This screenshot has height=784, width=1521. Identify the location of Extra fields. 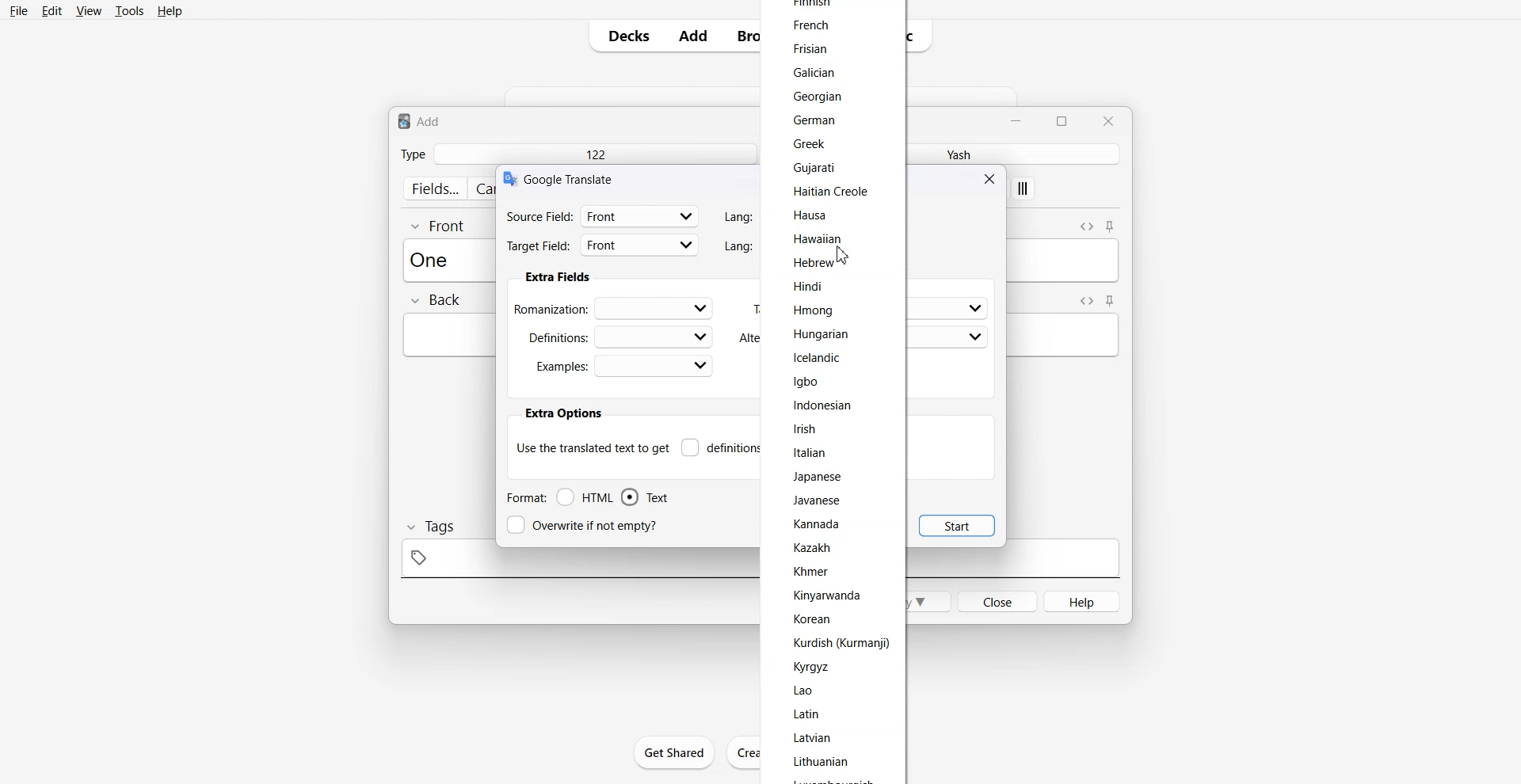
(558, 277).